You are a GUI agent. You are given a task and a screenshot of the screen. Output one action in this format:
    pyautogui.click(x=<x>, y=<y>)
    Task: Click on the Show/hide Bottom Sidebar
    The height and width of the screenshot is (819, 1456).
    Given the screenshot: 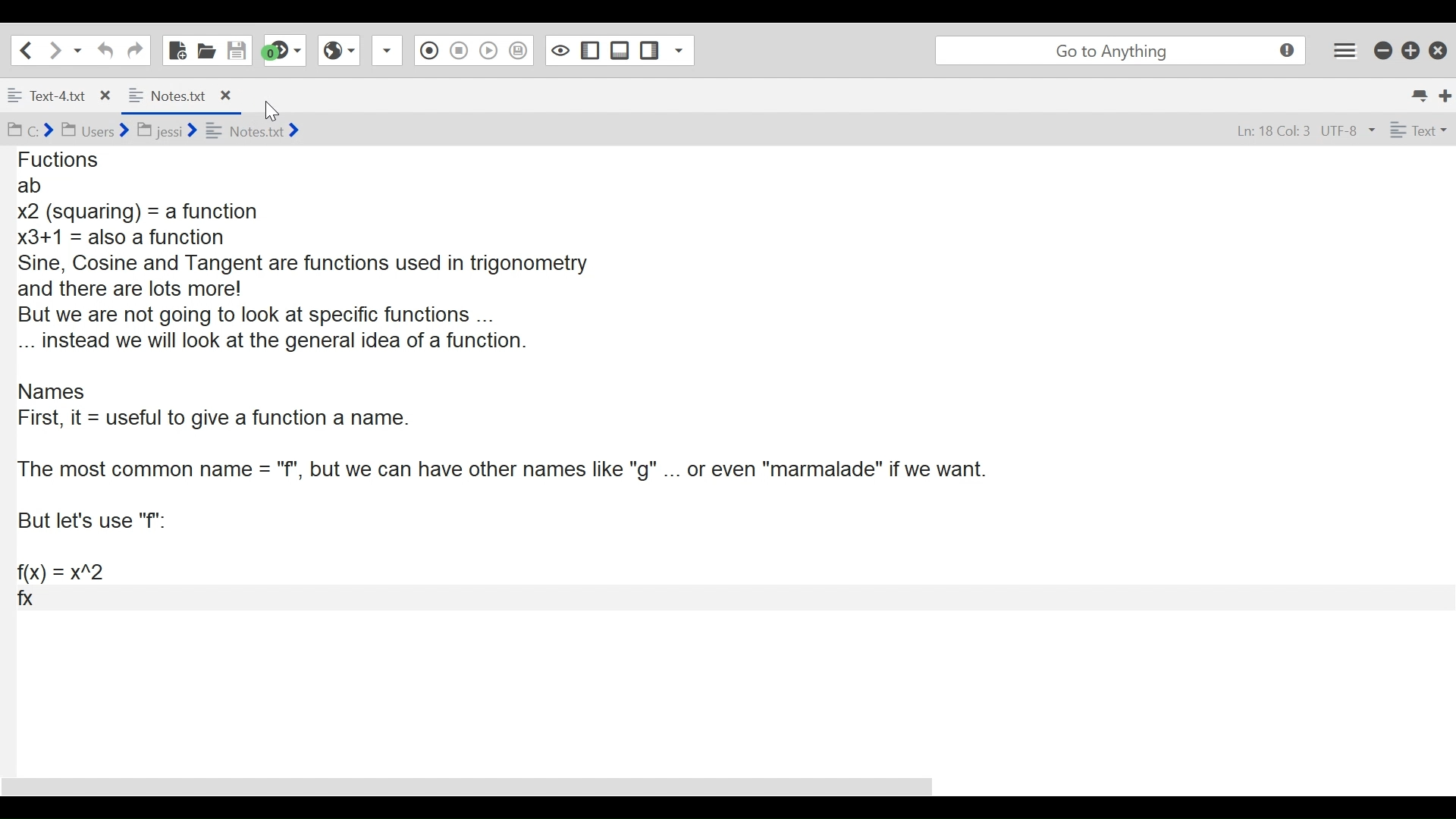 What is the action you would take?
    pyautogui.click(x=620, y=50)
    